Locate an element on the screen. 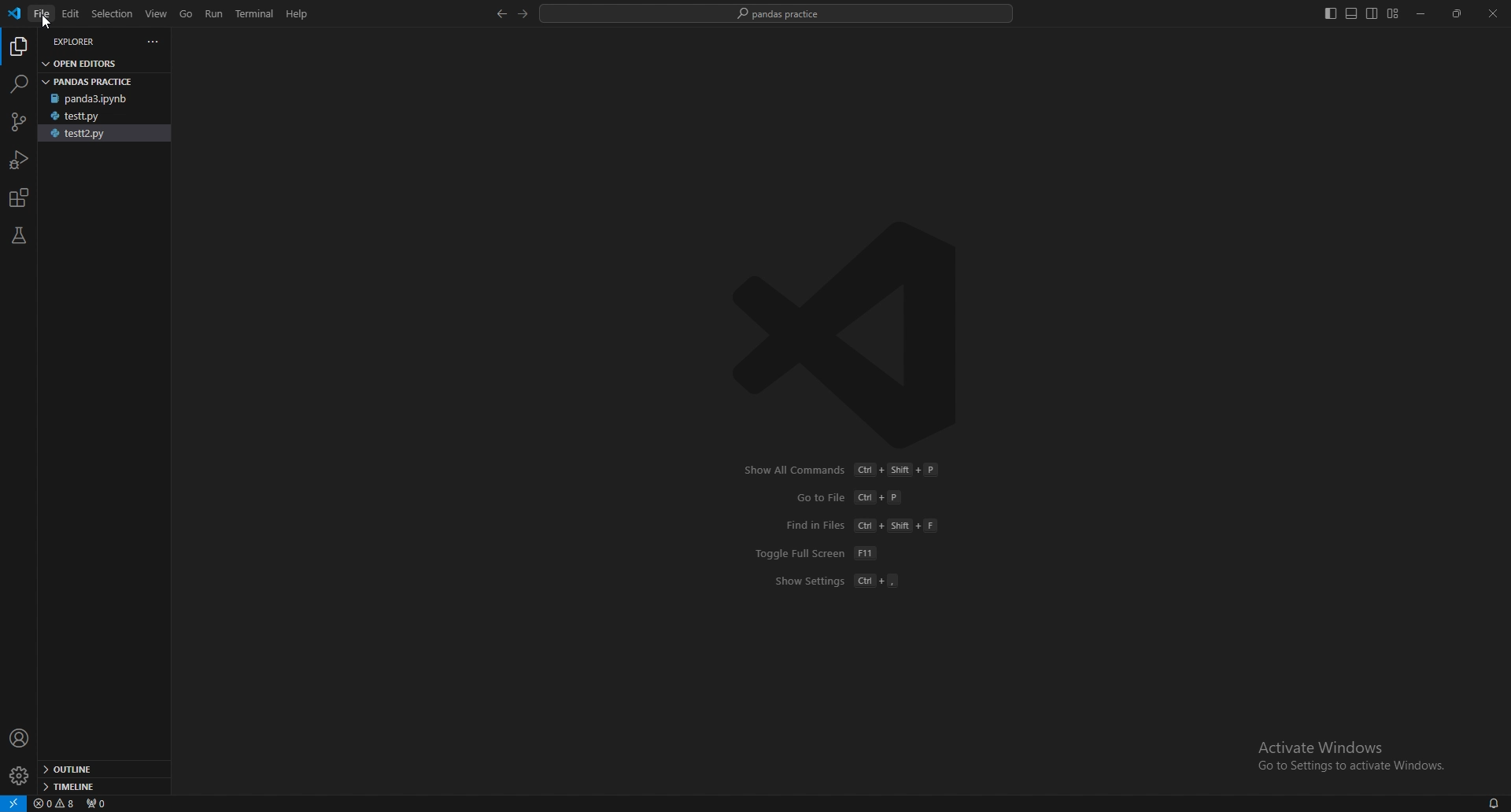 This screenshot has width=1511, height=812. testt.py is located at coordinates (103, 116).